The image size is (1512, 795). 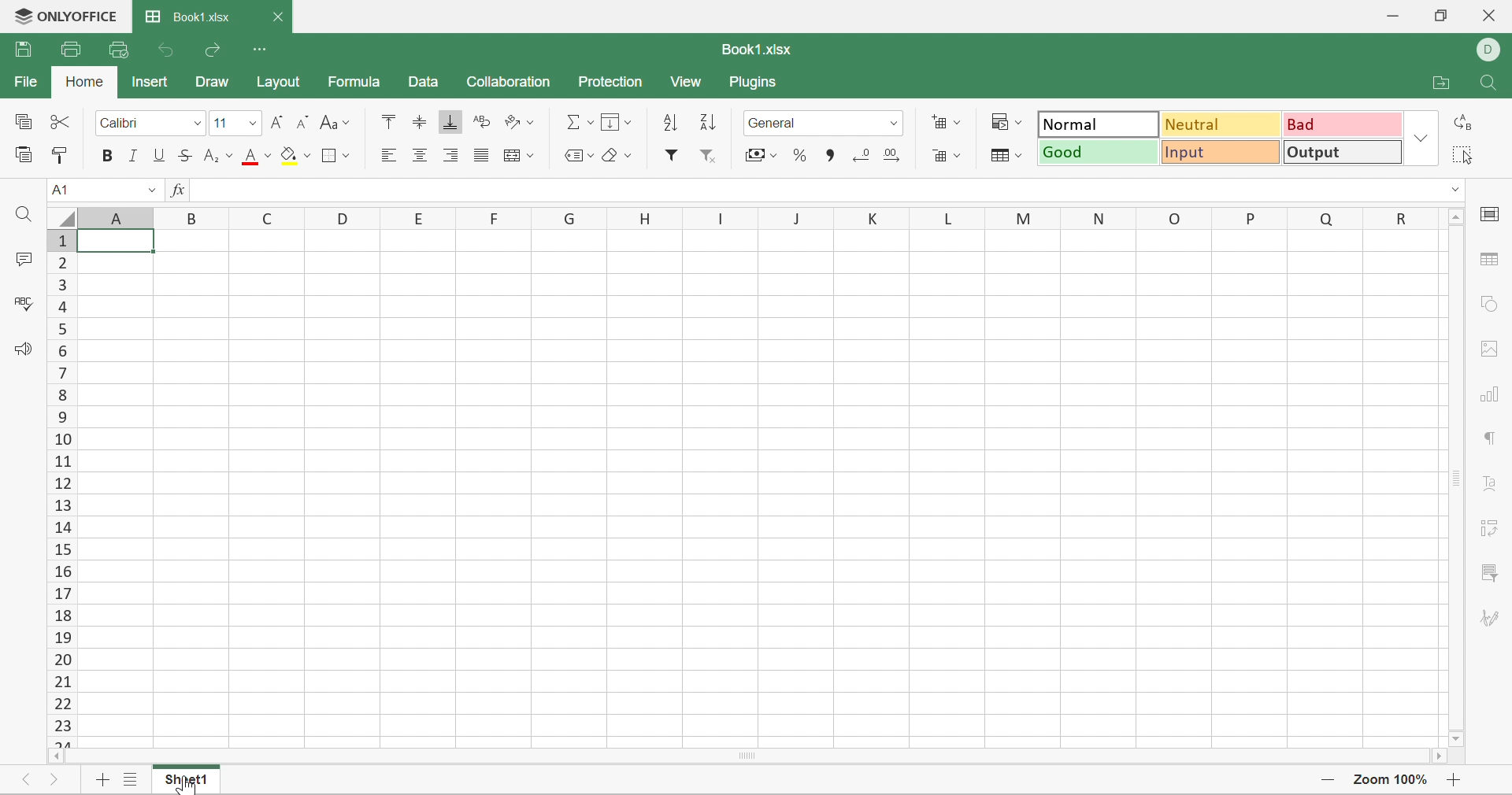 I want to click on Close, so click(x=279, y=18).